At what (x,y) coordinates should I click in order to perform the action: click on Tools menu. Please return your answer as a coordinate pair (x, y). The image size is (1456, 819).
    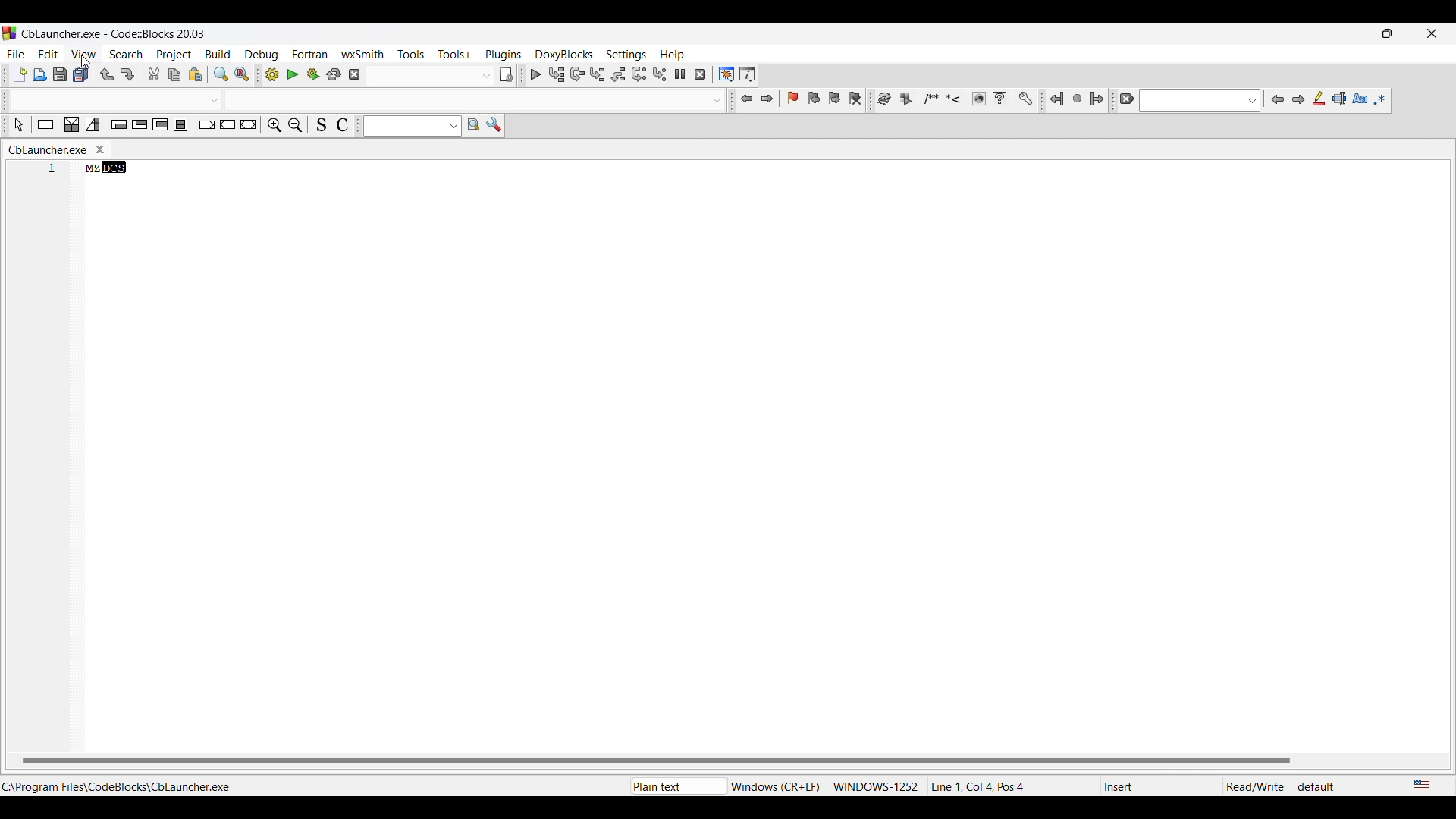
    Looking at the image, I should click on (411, 54).